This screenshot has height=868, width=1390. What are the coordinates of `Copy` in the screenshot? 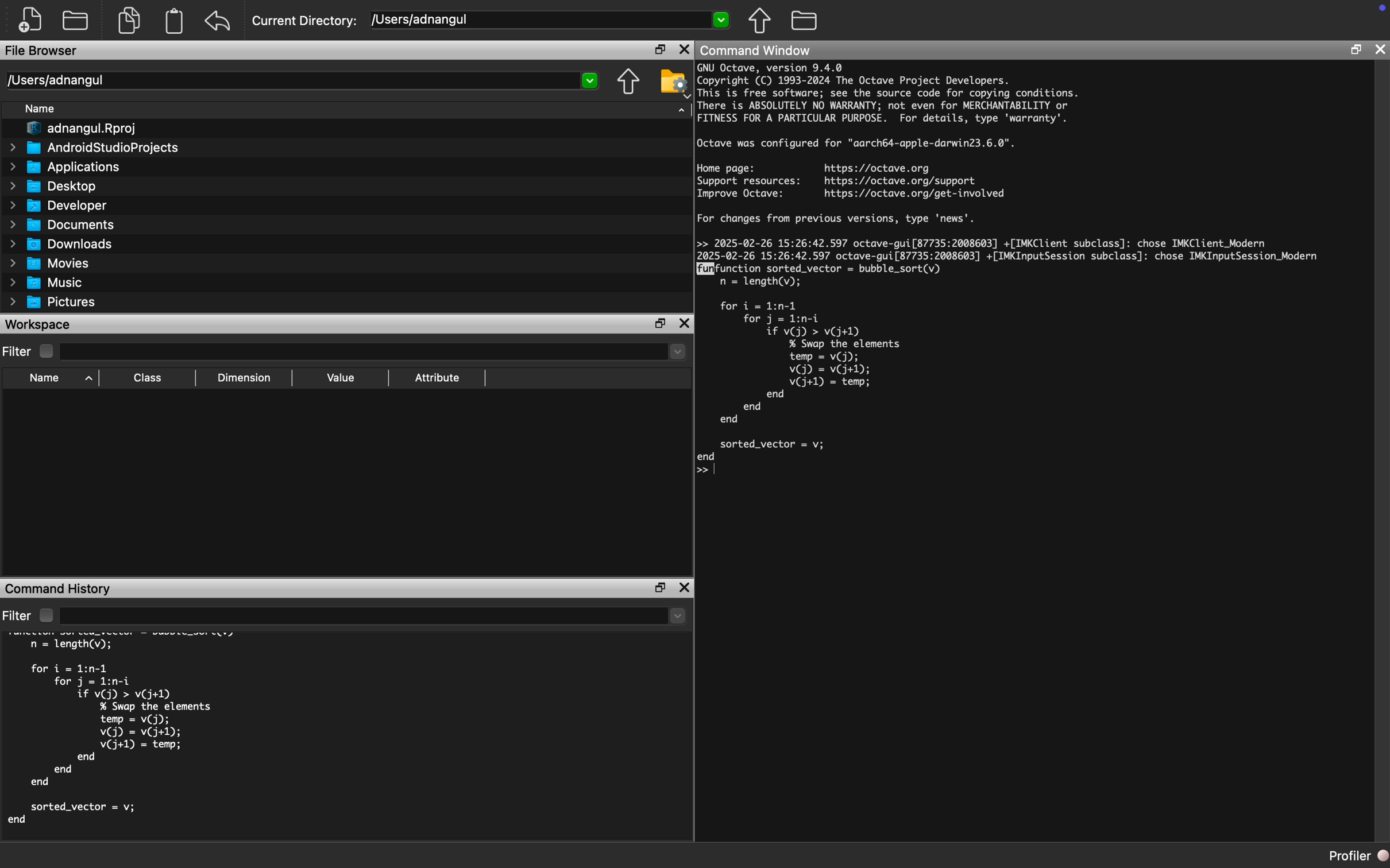 It's located at (136, 20).